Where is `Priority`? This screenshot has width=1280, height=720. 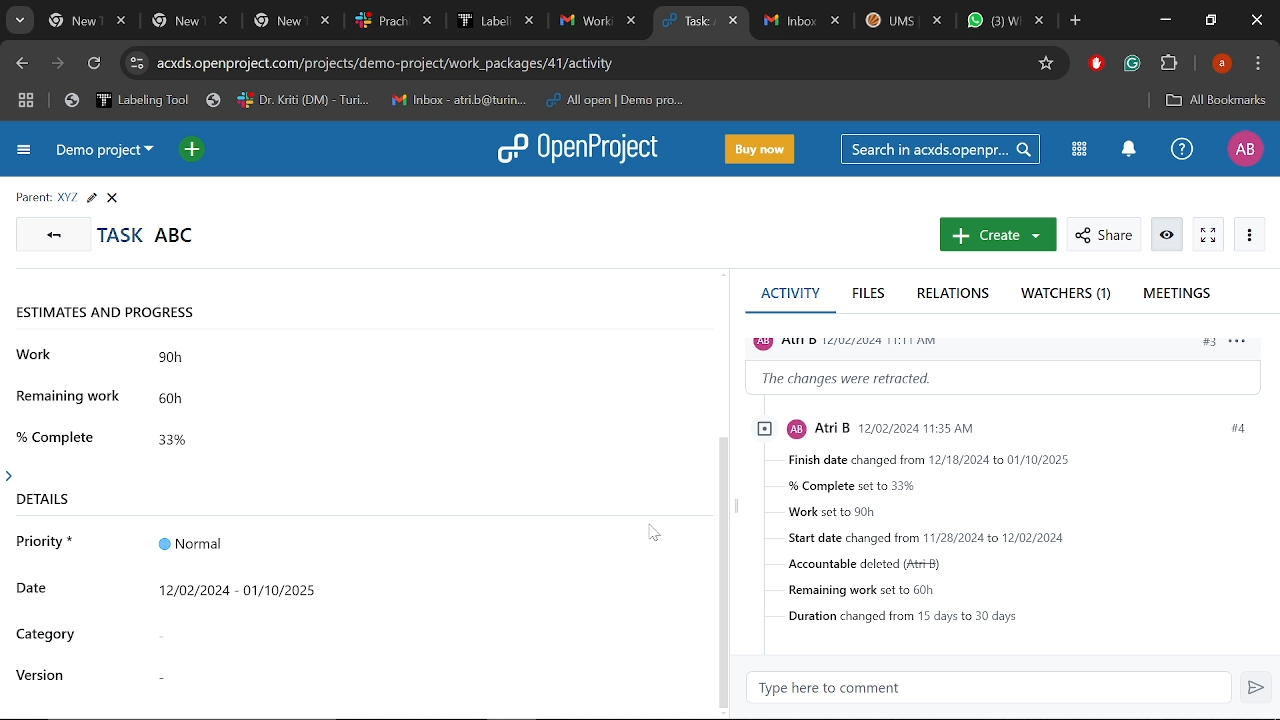 Priority is located at coordinates (423, 544).